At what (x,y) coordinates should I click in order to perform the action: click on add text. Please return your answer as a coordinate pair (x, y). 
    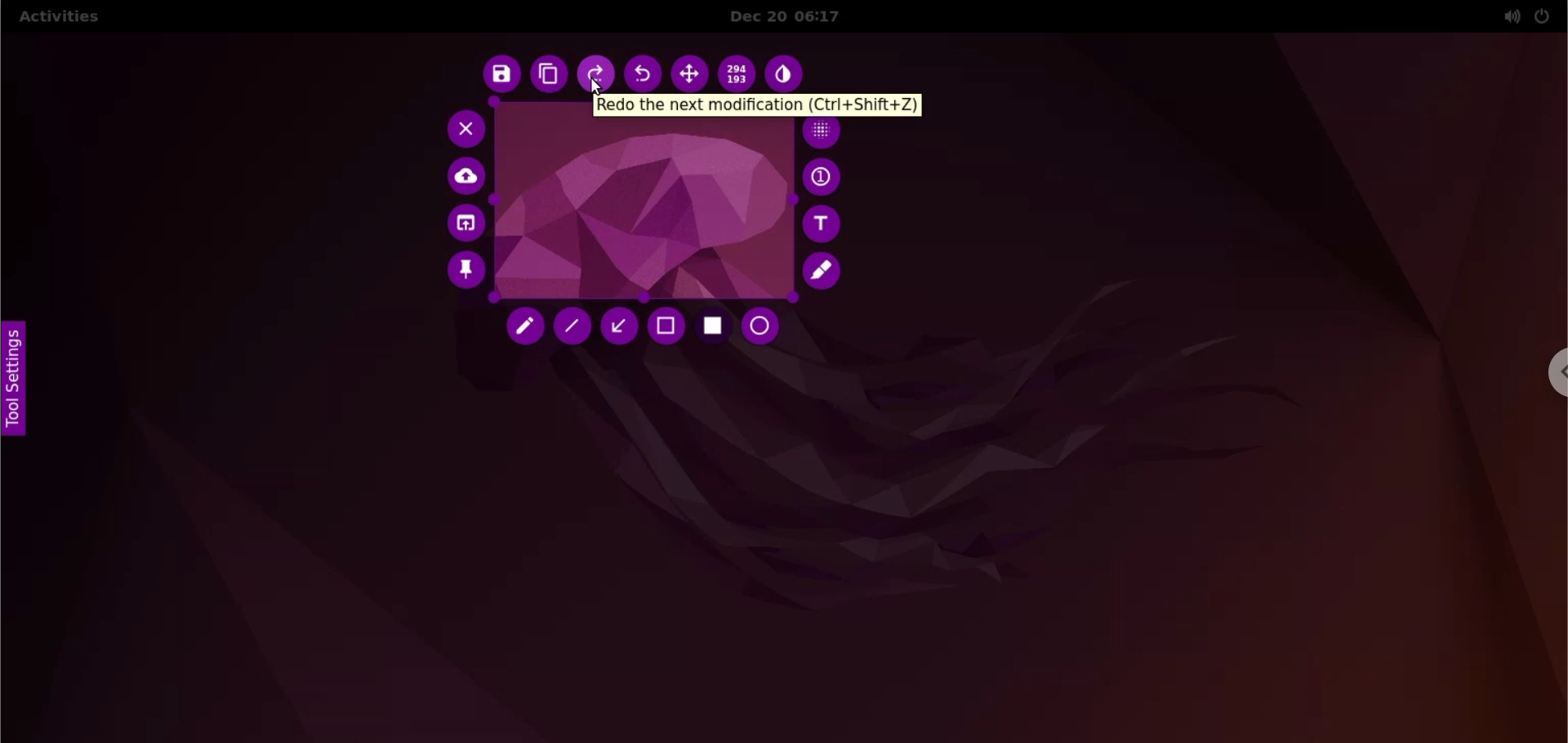
    Looking at the image, I should click on (824, 224).